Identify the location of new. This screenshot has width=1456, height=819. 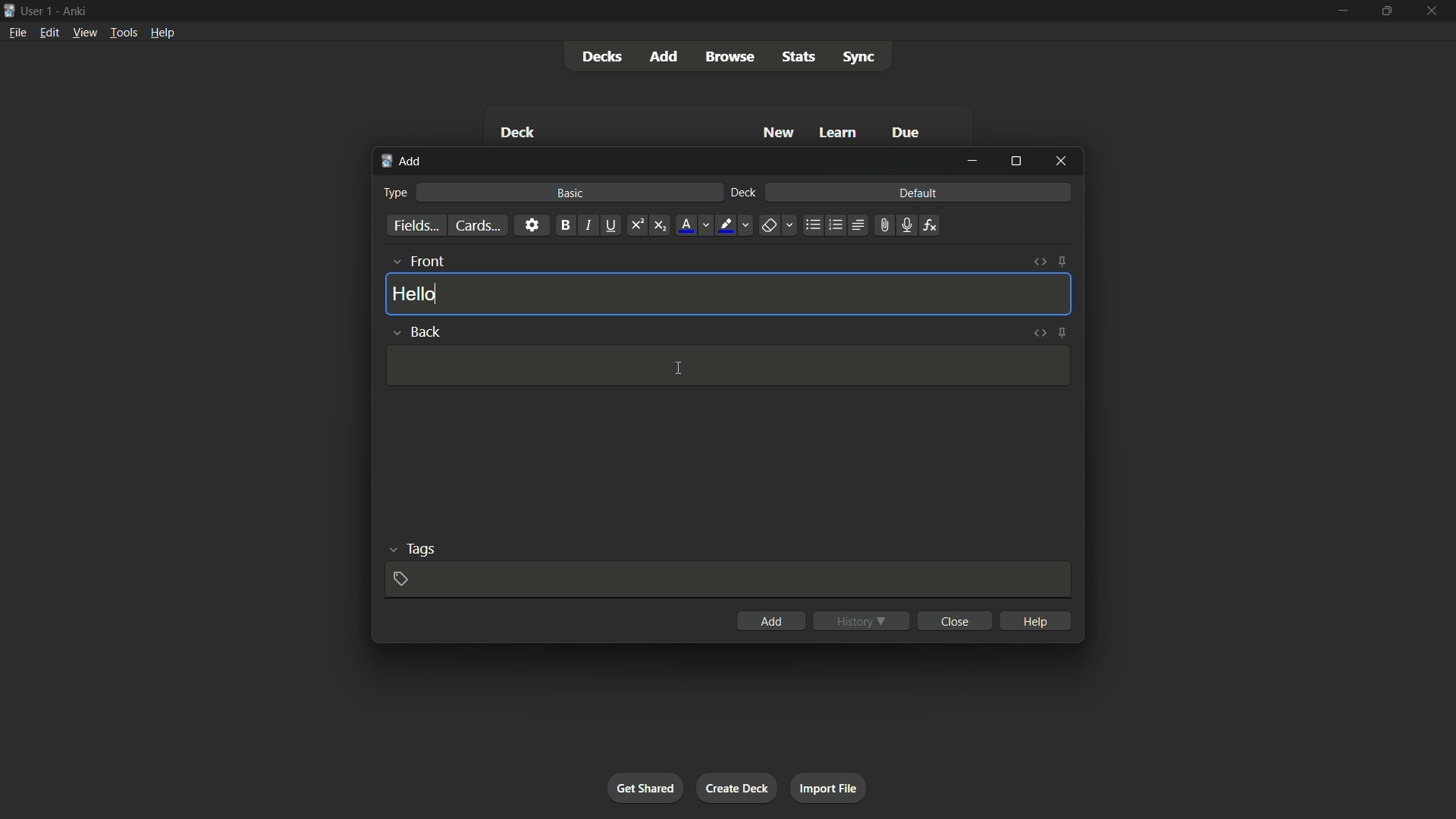
(777, 134).